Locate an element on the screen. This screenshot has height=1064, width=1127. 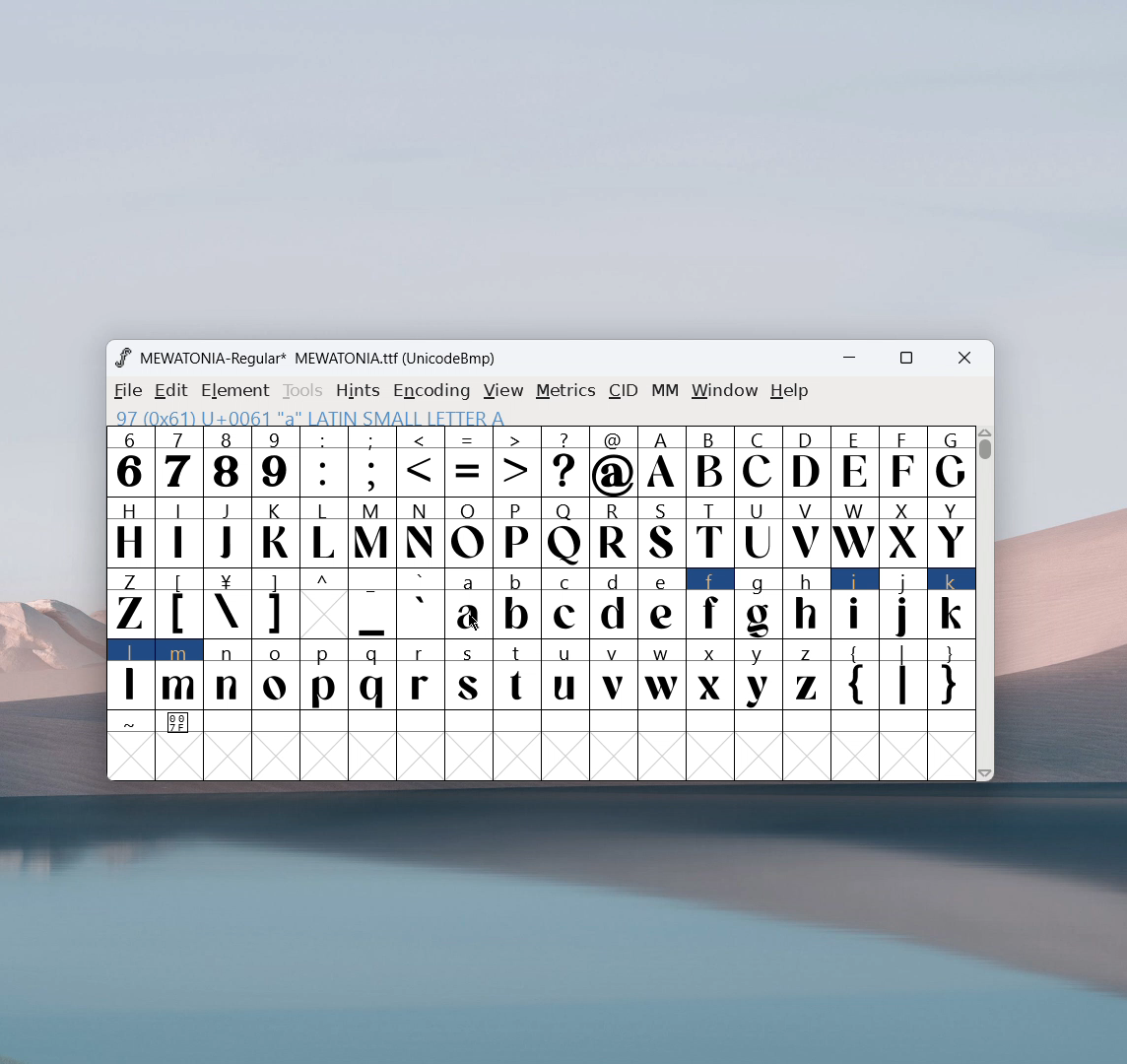
view is located at coordinates (503, 391).